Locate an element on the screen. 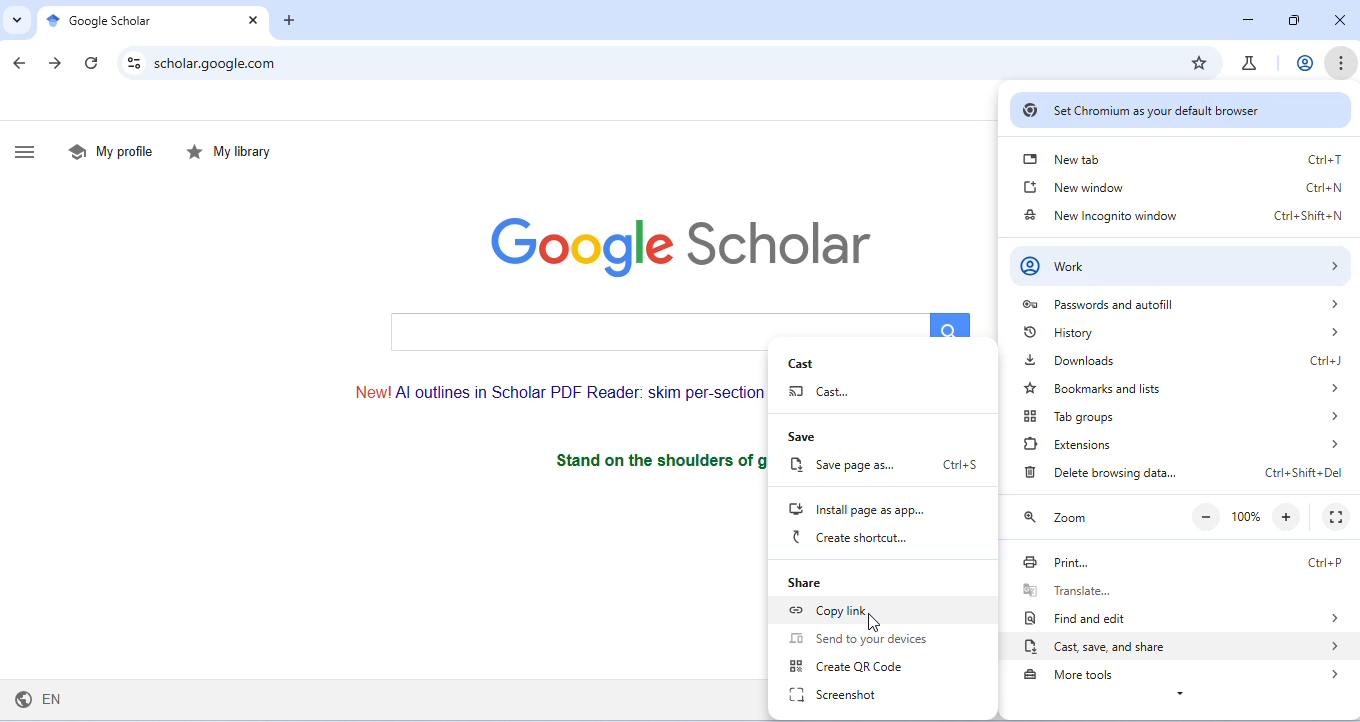 This screenshot has height=722, width=1360. set chromium as default browser is located at coordinates (1177, 110).